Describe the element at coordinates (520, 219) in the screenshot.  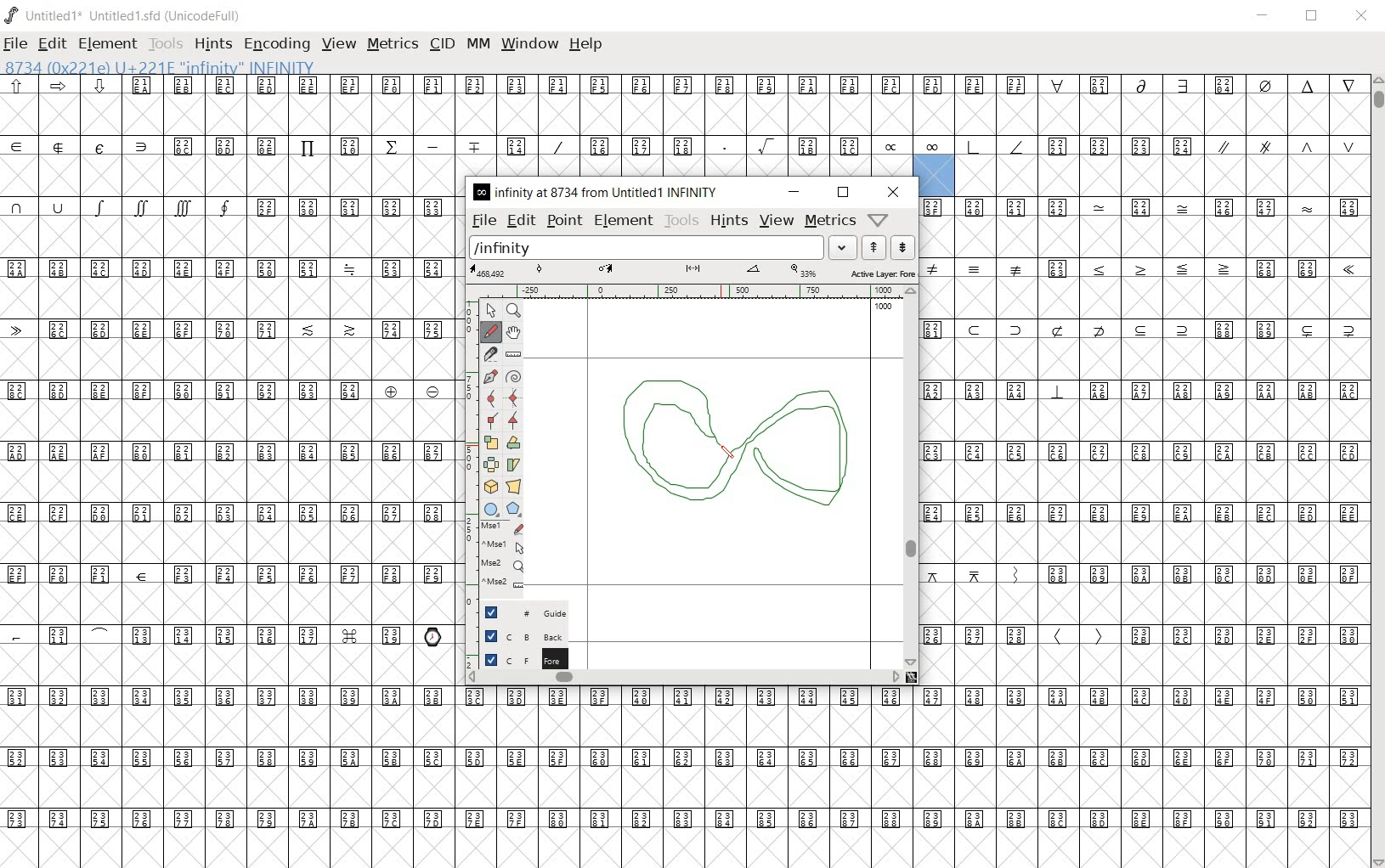
I see `edit` at that location.